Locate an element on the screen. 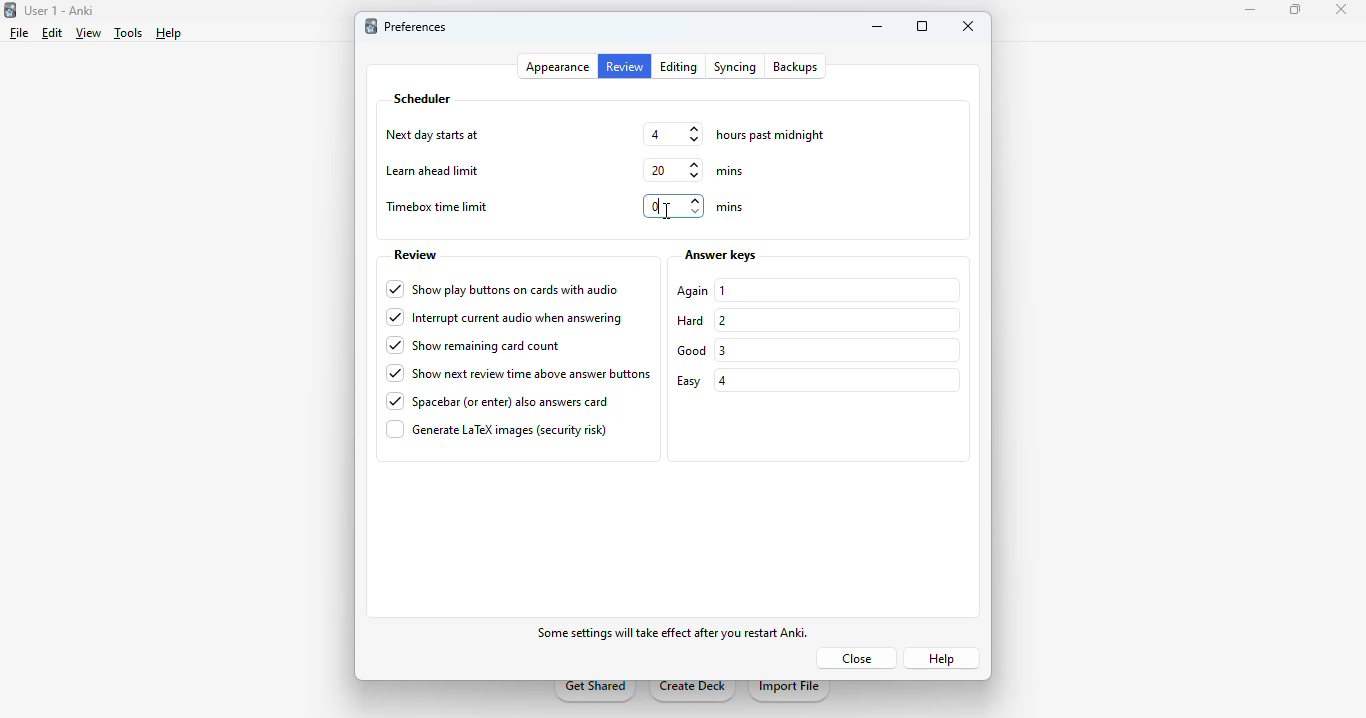  help is located at coordinates (168, 33).